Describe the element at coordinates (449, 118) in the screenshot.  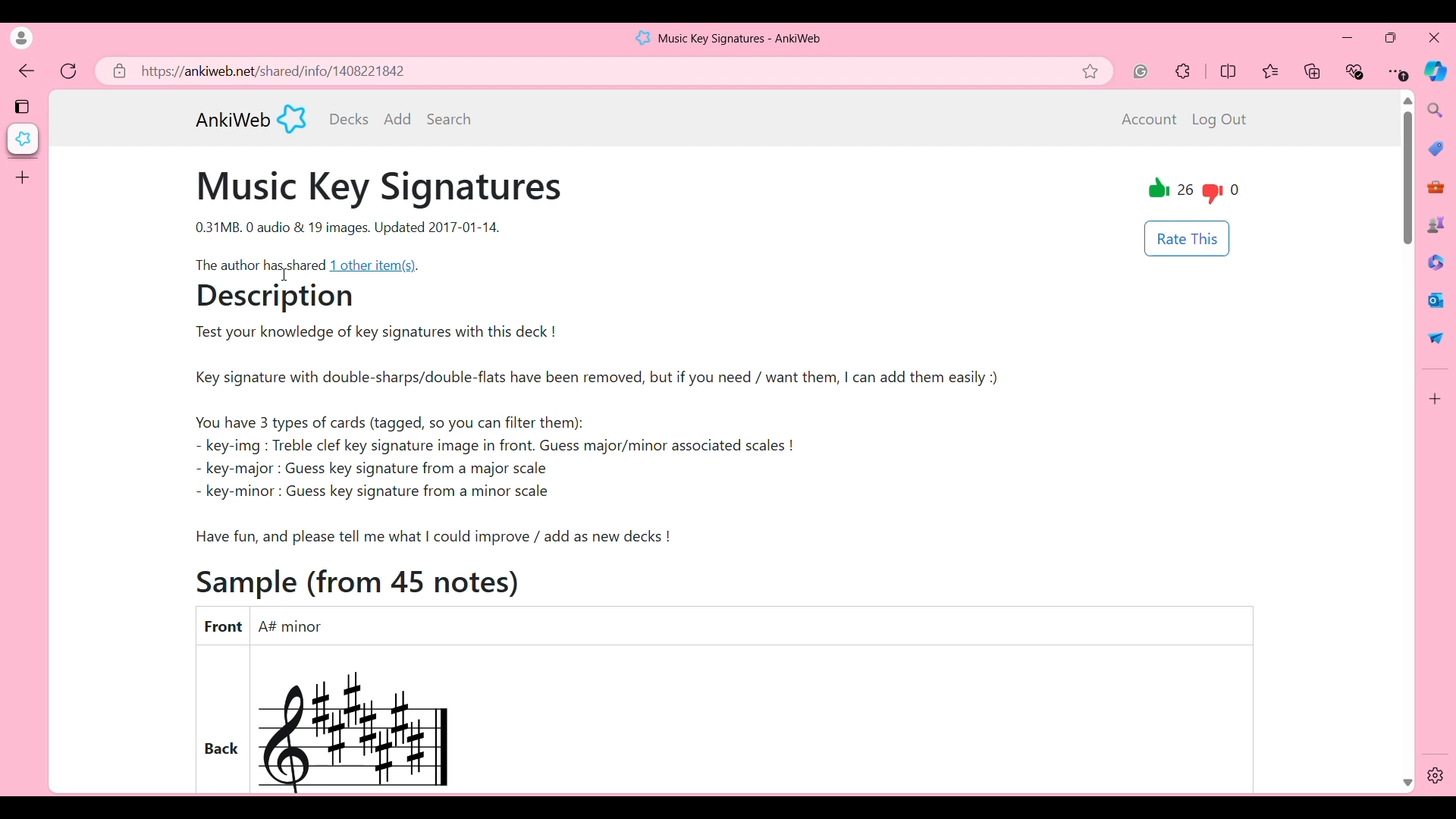
I see `Search` at that location.